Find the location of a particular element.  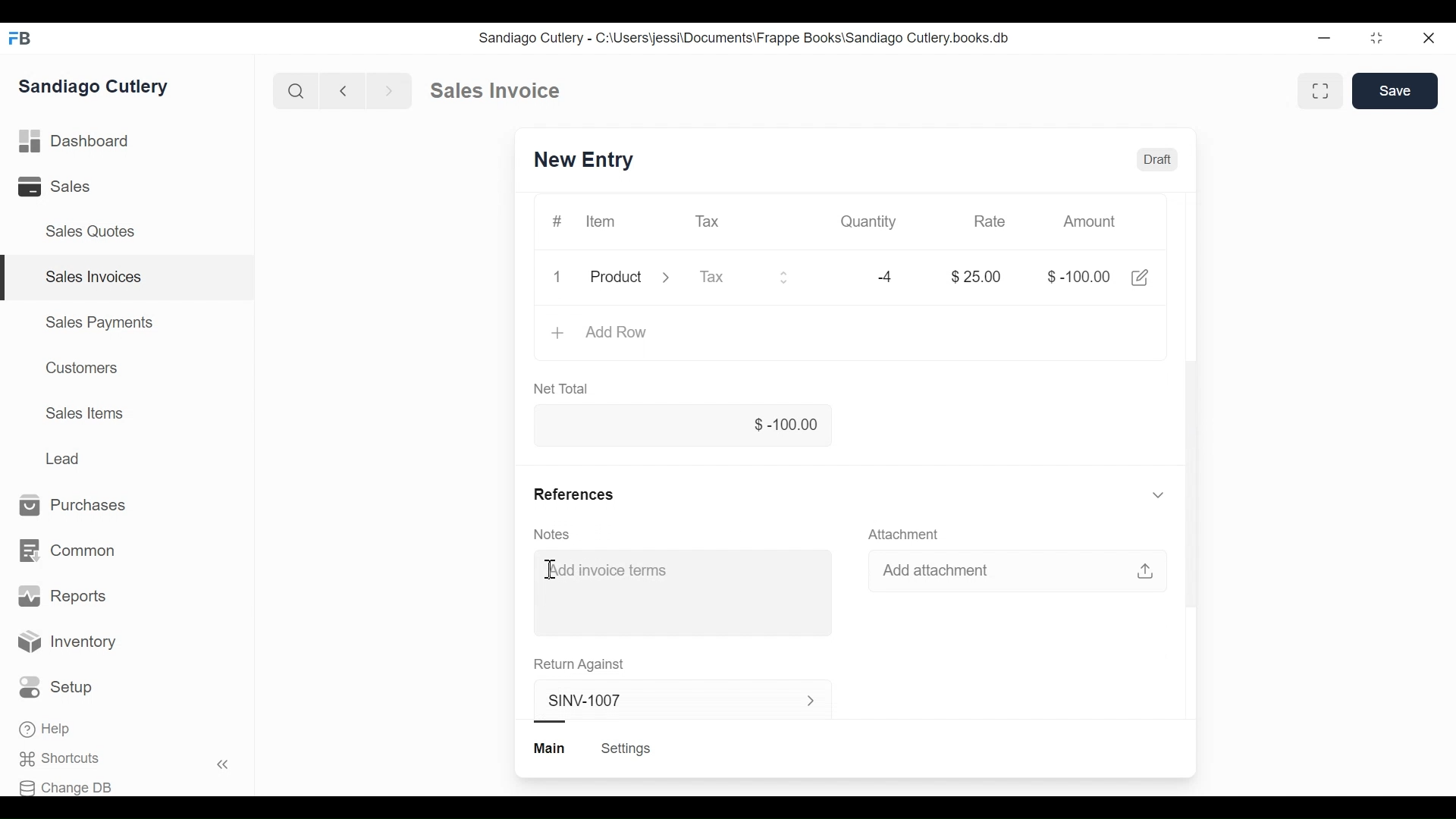

Previous is located at coordinates (344, 90).